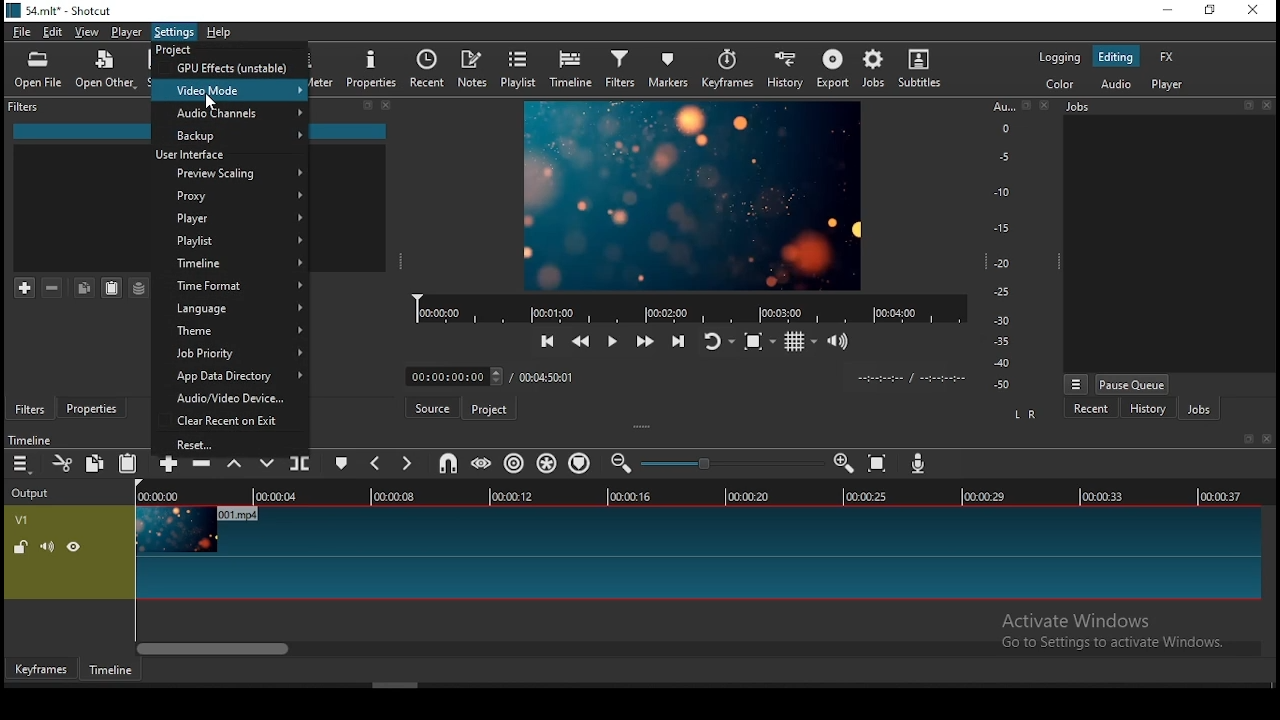  What do you see at coordinates (678, 342) in the screenshot?
I see `skip to the next point` at bounding box center [678, 342].